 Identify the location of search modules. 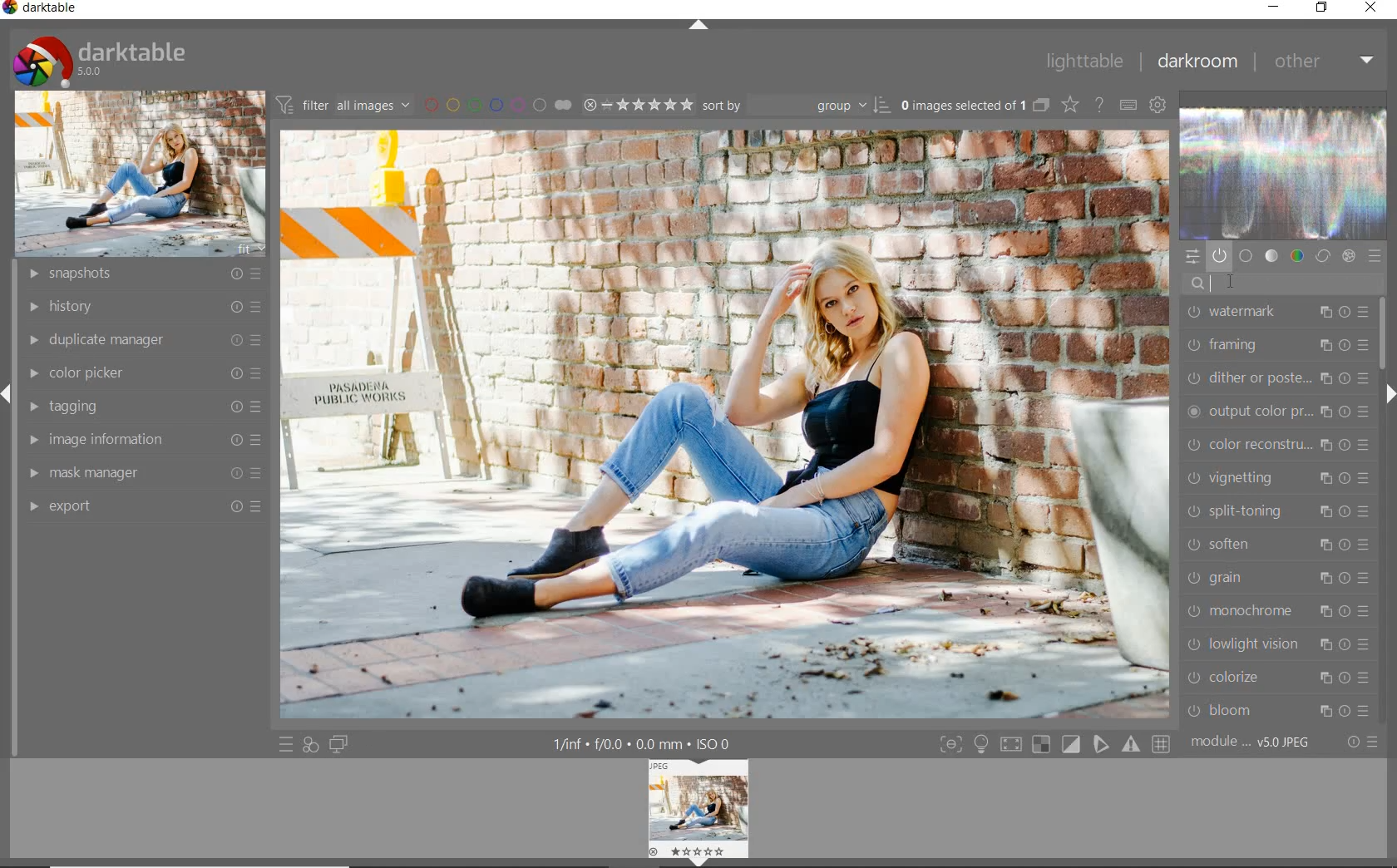
(1281, 283).